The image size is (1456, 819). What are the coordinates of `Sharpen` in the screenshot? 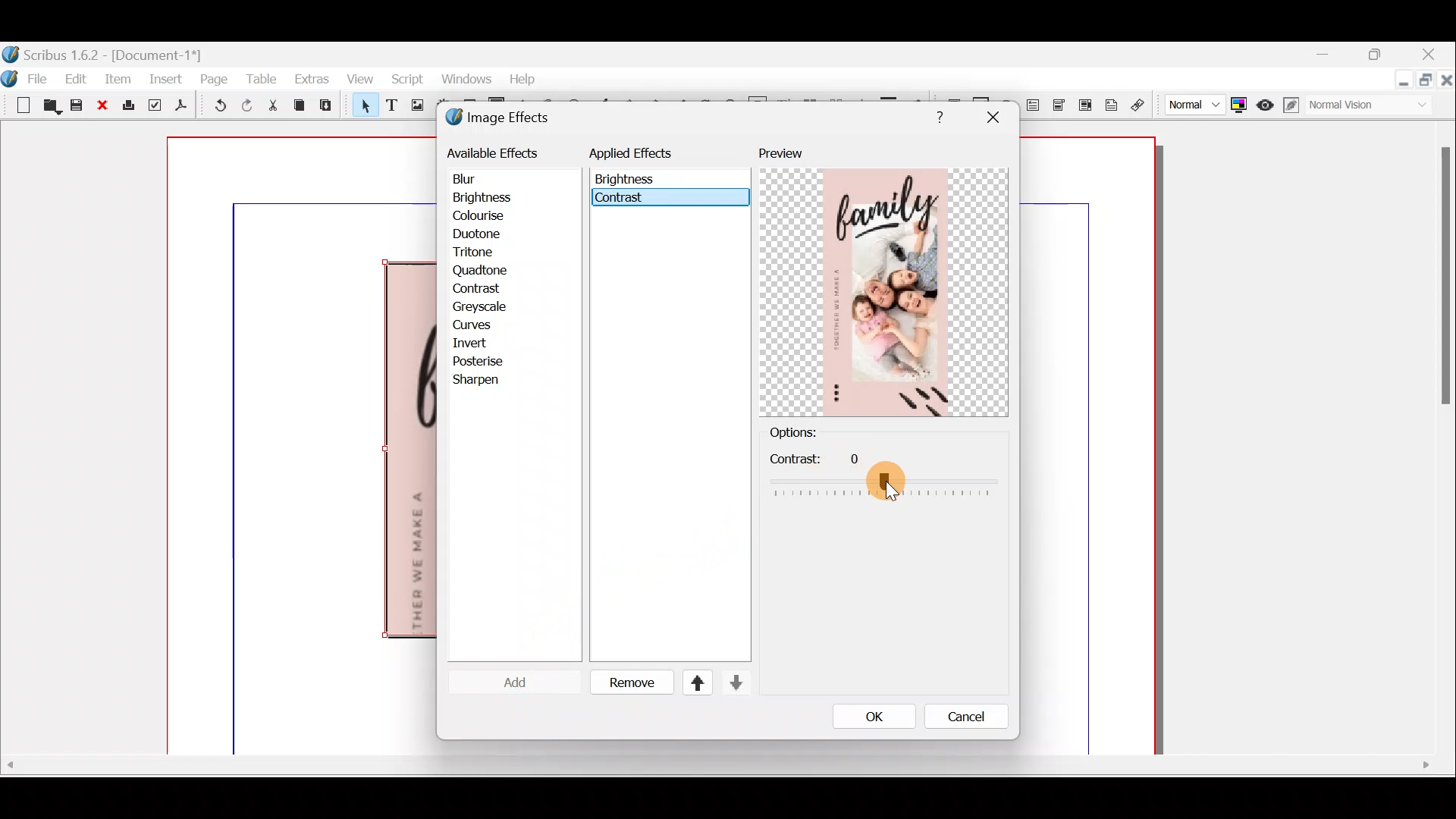 It's located at (484, 381).